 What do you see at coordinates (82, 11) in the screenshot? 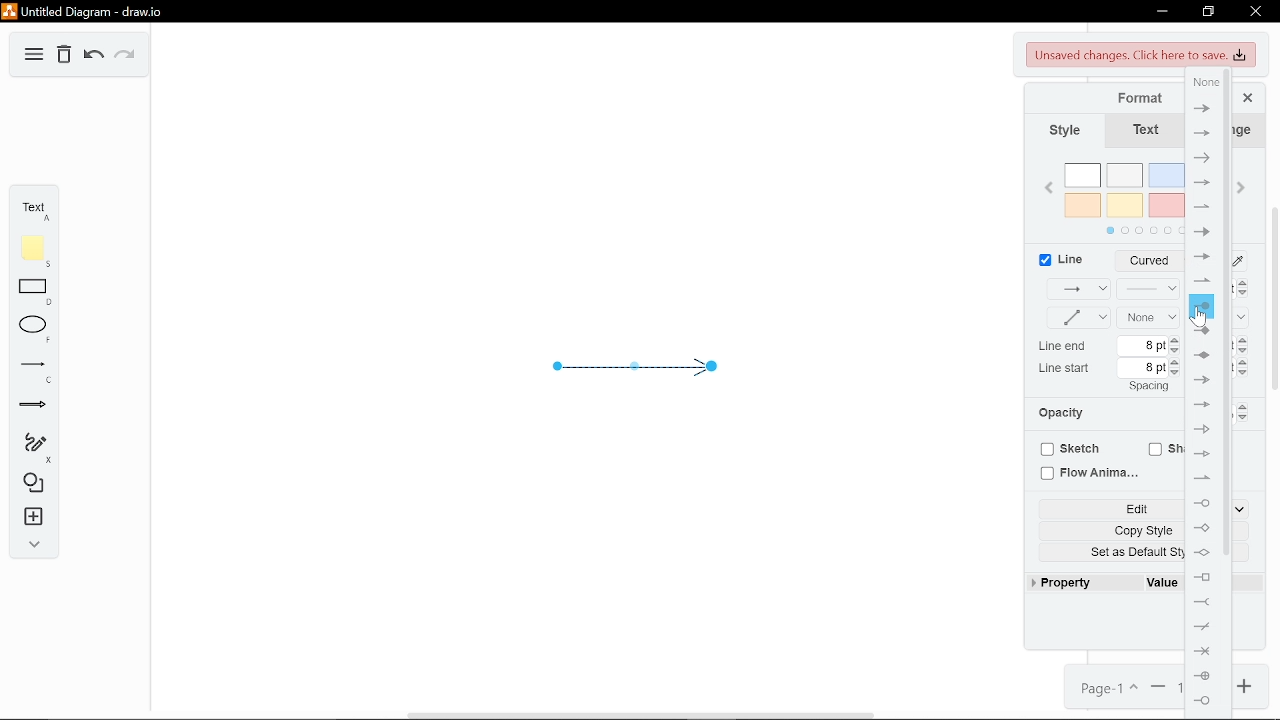
I see `Untitled Diagram - draw.io` at bounding box center [82, 11].